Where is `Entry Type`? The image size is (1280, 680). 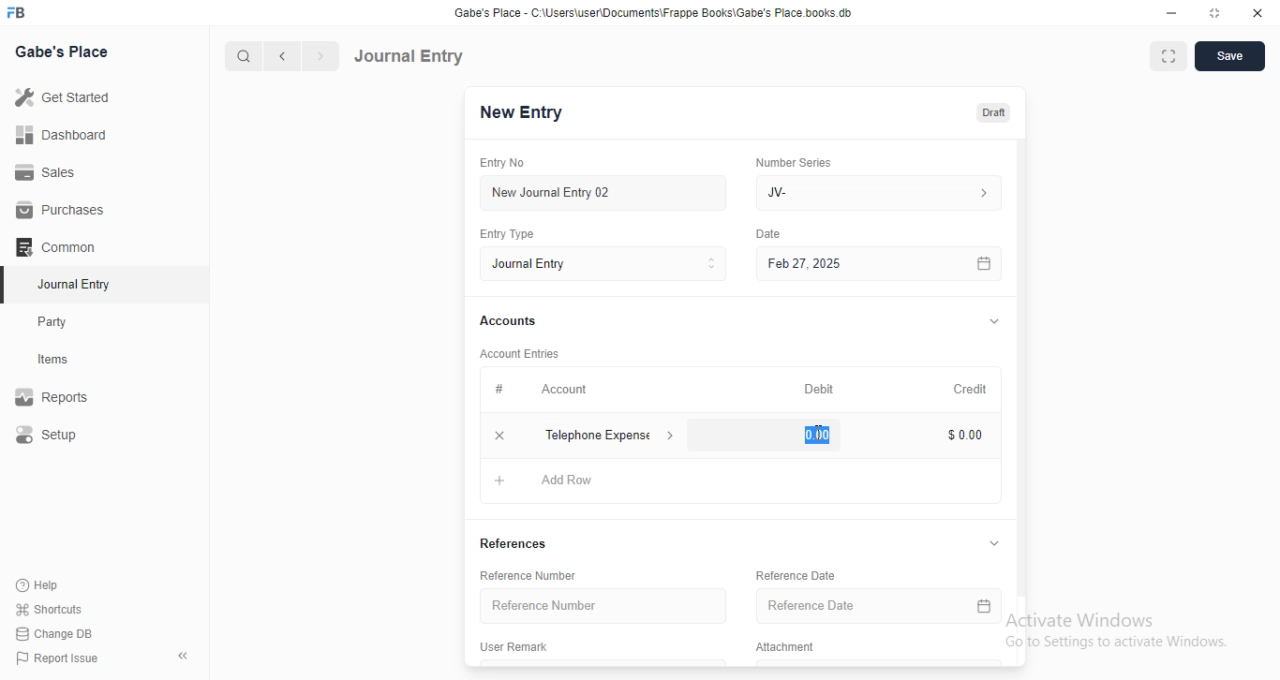 Entry Type is located at coordinates (507, 235).